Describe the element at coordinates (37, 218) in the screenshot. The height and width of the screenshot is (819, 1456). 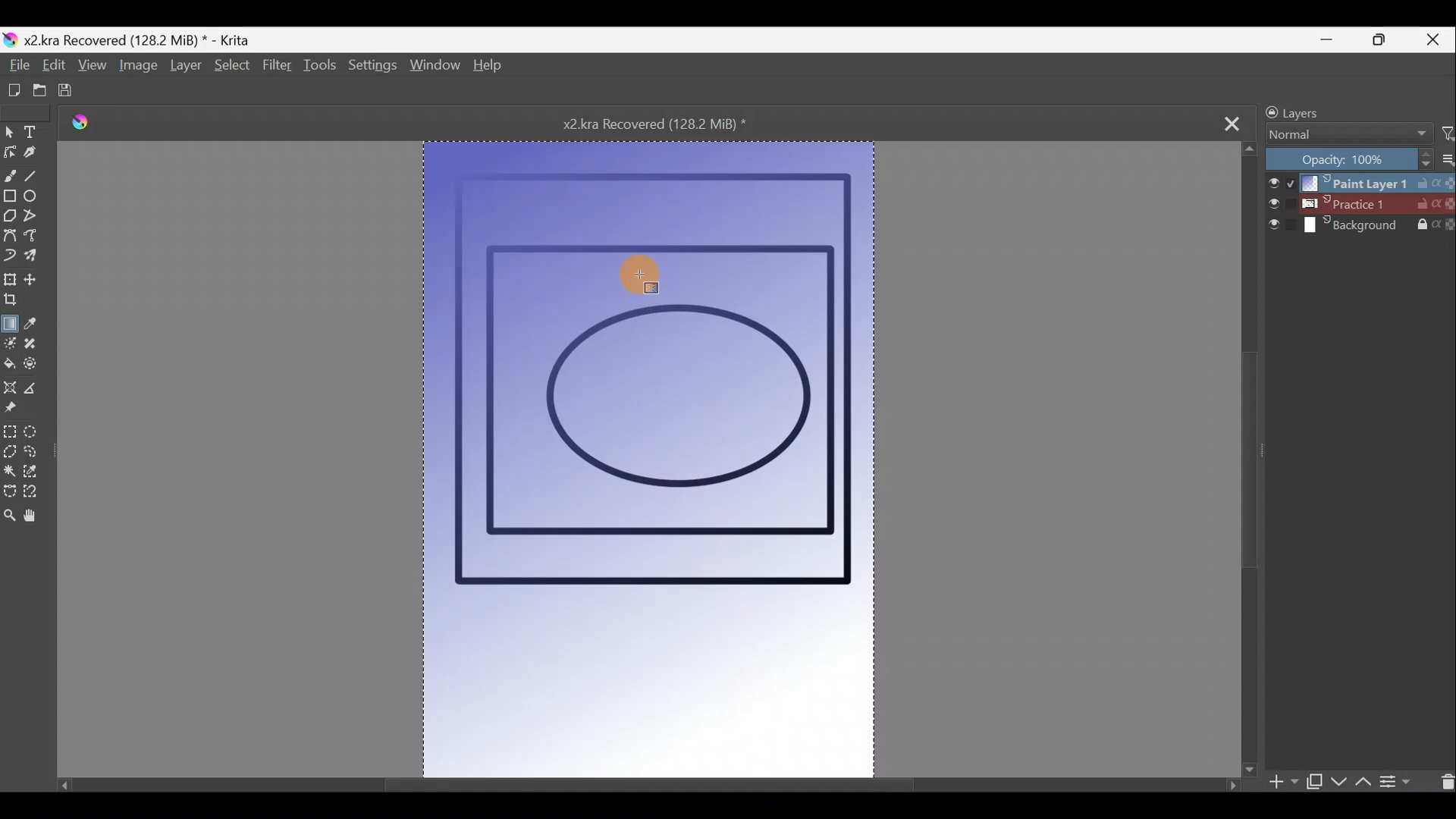
I see `Polyline tool` at that location.